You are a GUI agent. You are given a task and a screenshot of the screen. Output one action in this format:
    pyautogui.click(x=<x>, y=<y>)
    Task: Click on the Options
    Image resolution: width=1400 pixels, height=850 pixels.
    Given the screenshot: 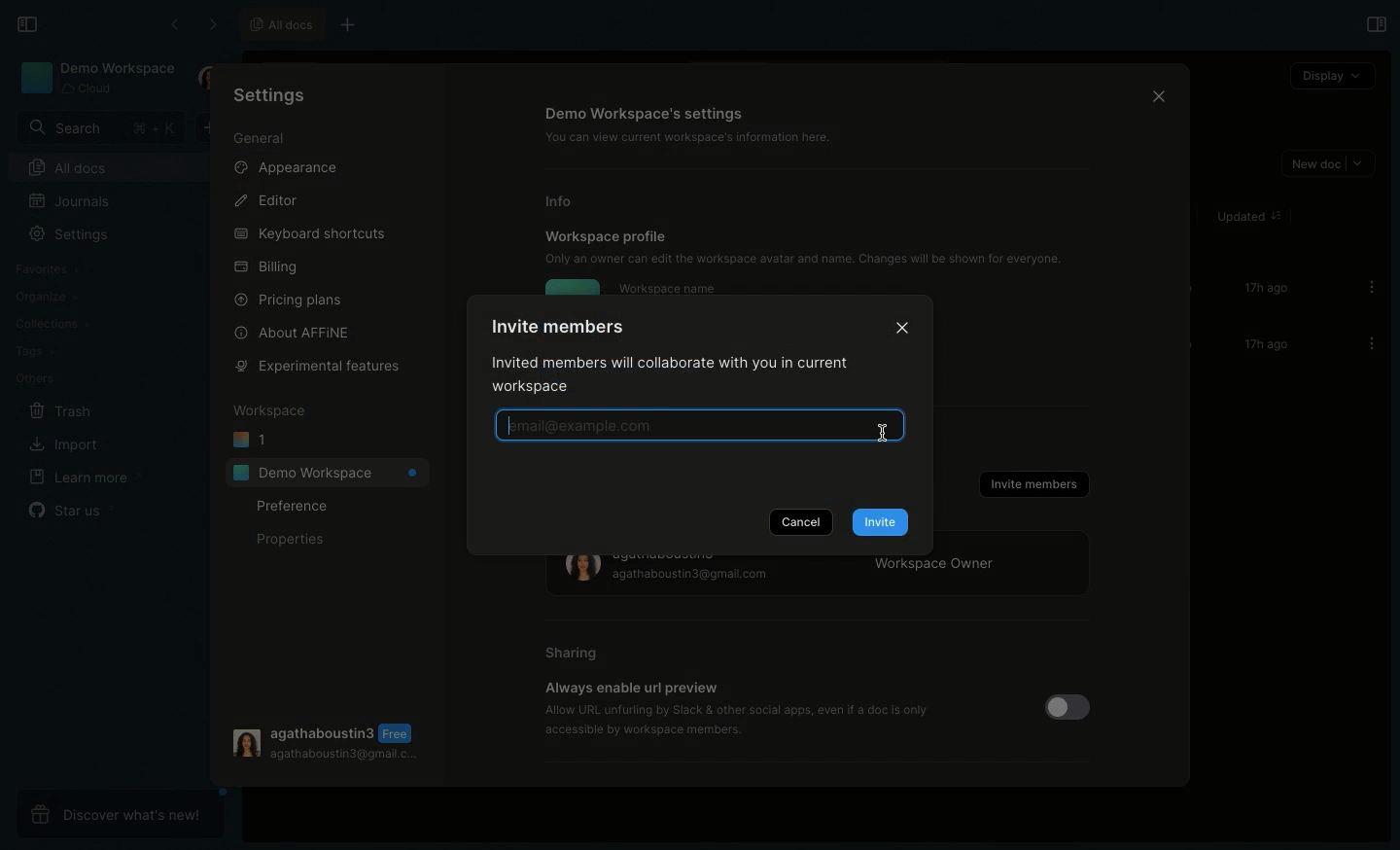 What is the action you would take?
    pyautogui.click(x=1366, y=343)
    